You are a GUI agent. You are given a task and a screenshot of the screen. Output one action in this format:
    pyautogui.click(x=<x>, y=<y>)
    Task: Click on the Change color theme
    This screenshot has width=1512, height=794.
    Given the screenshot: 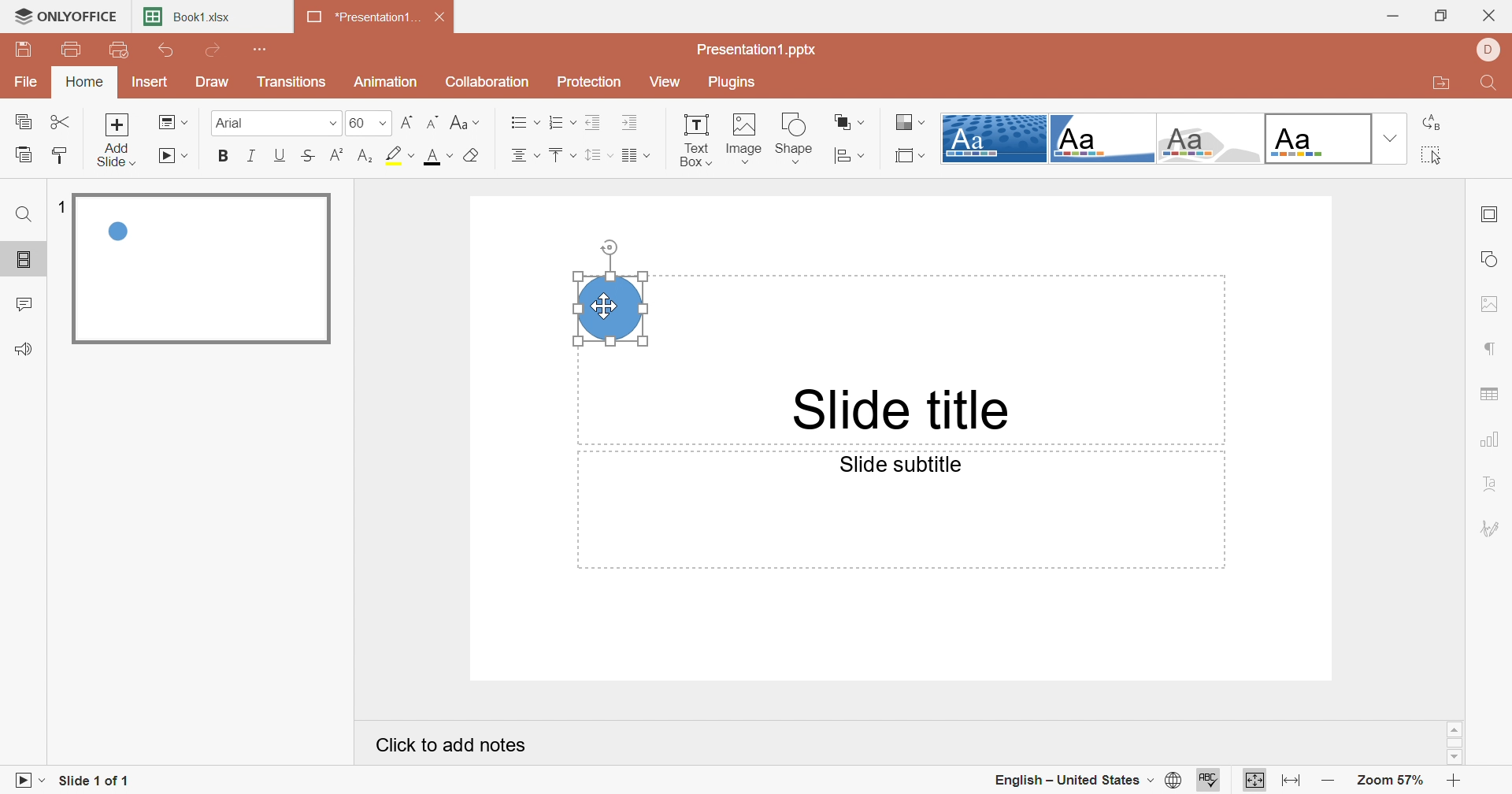 What is the action you would take?
    pyautogui.click(x=910, y=121)
    